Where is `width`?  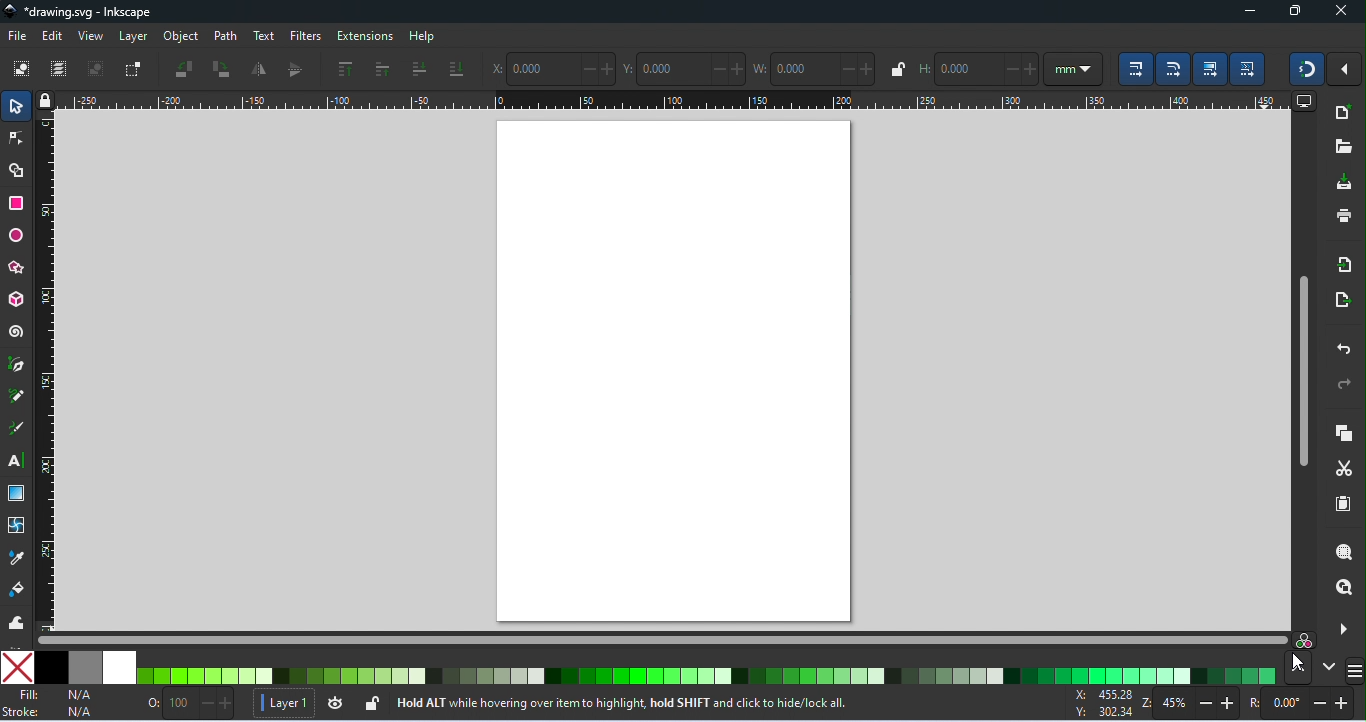
width is located at coordinates (814, 67).